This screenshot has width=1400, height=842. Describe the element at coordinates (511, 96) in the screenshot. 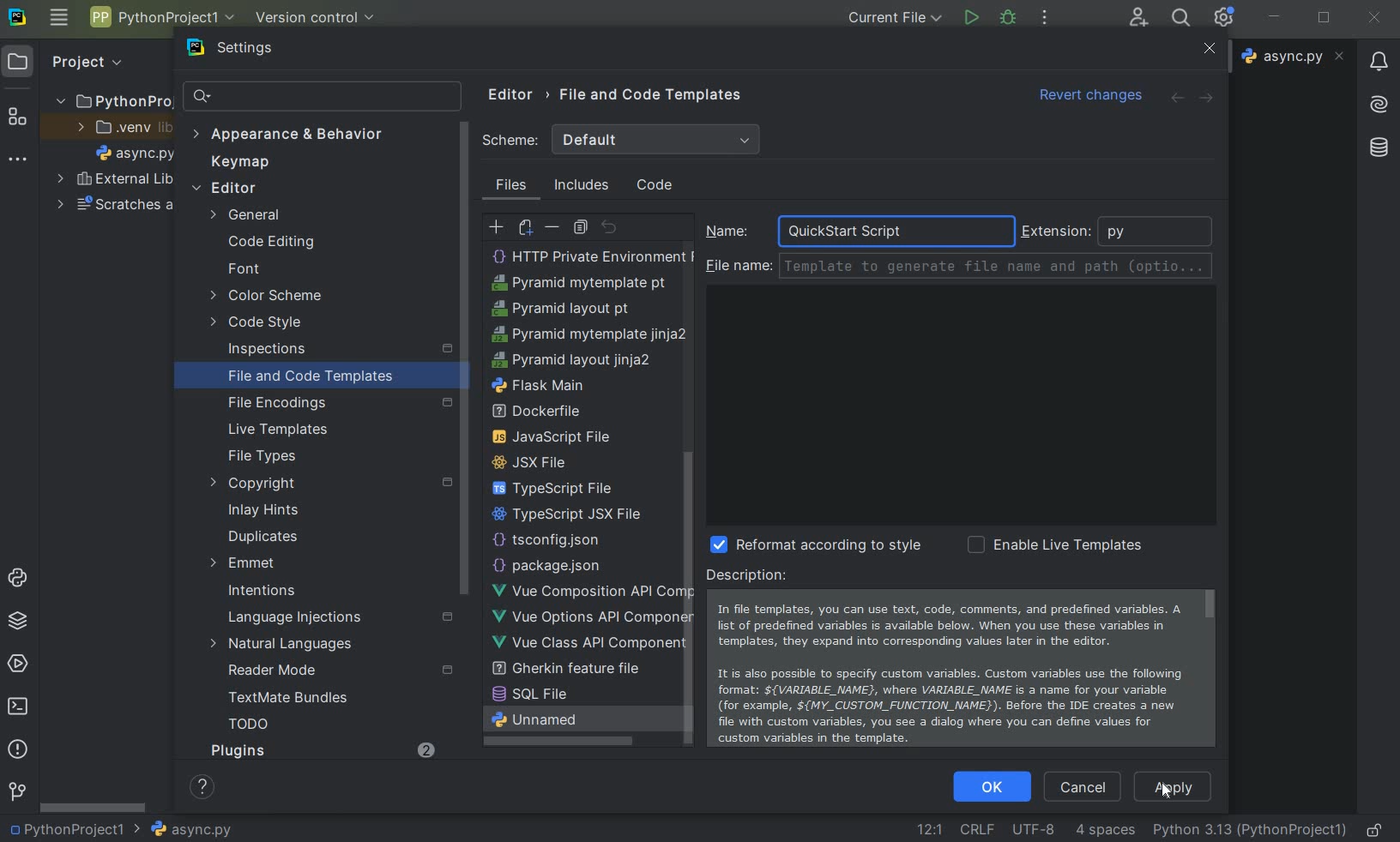

I see `editor` at that location.